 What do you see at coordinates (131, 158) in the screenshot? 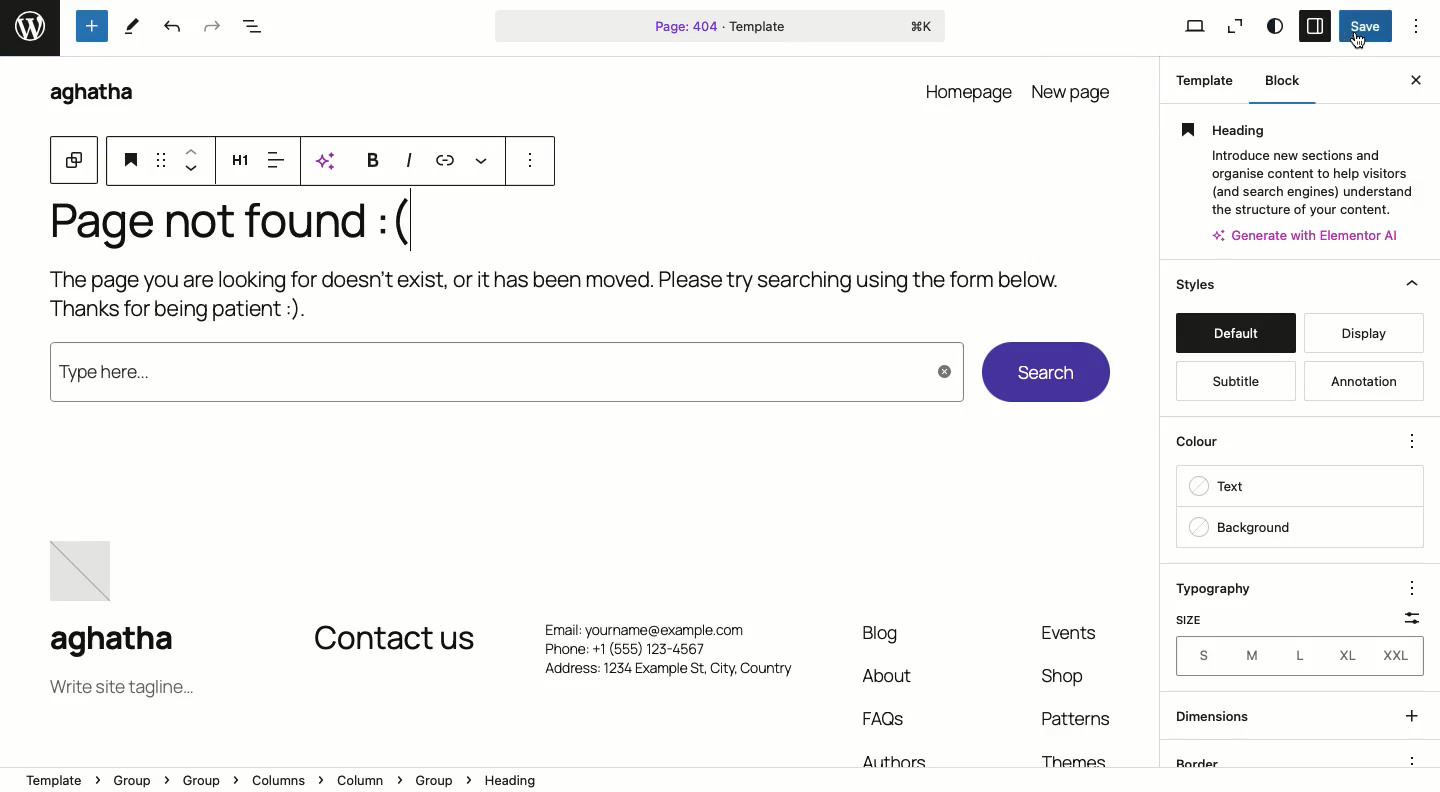
I see `Heading` at bounding box center [131, 158].